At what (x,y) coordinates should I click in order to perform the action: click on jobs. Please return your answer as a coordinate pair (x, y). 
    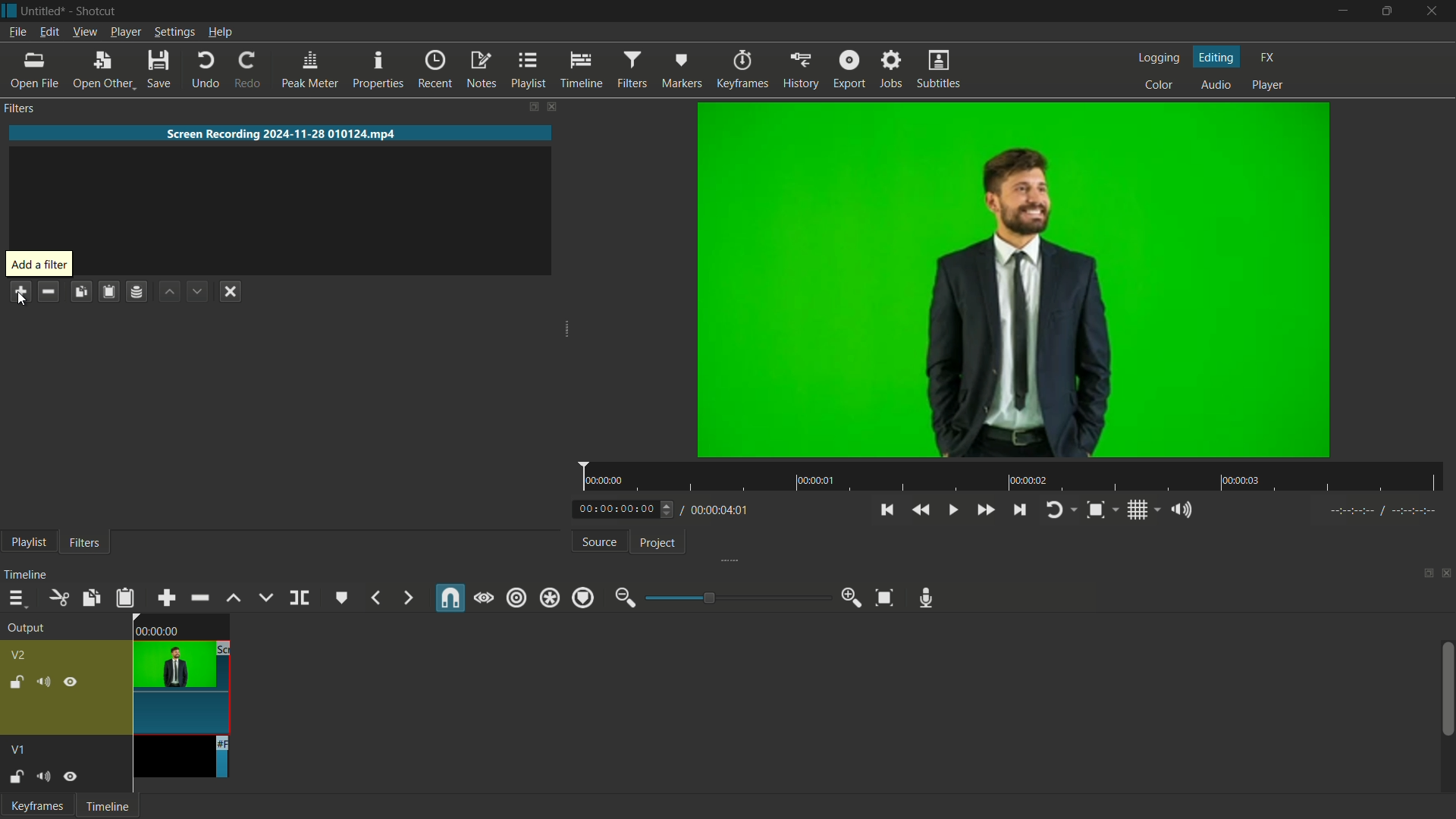
    Looking at the image, I should click on (890, 71).